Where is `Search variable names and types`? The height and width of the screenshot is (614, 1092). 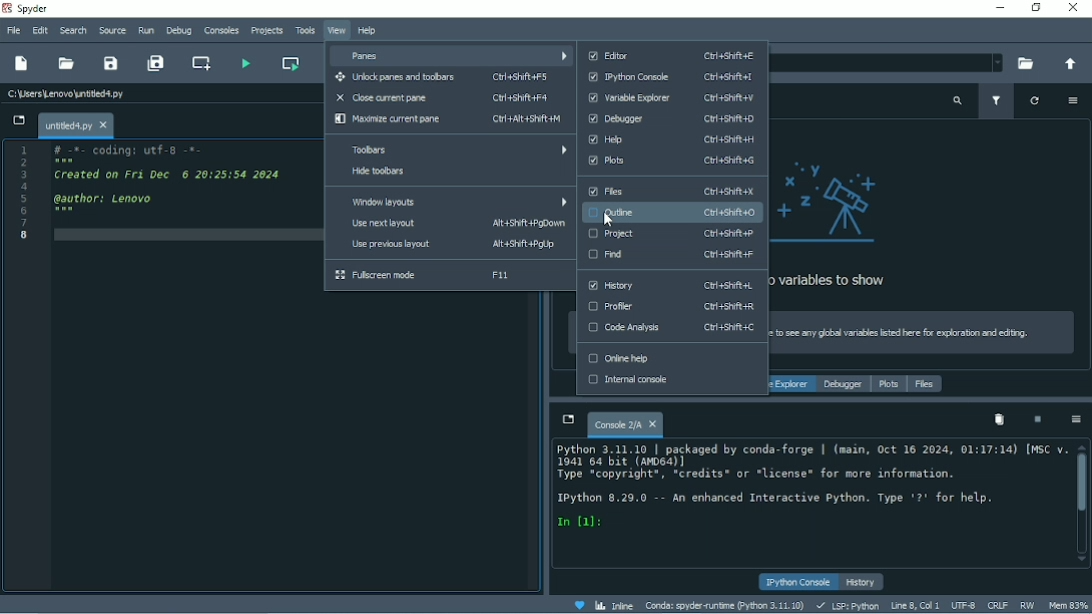
Search variable names and types is located at coordinates (957, 101).